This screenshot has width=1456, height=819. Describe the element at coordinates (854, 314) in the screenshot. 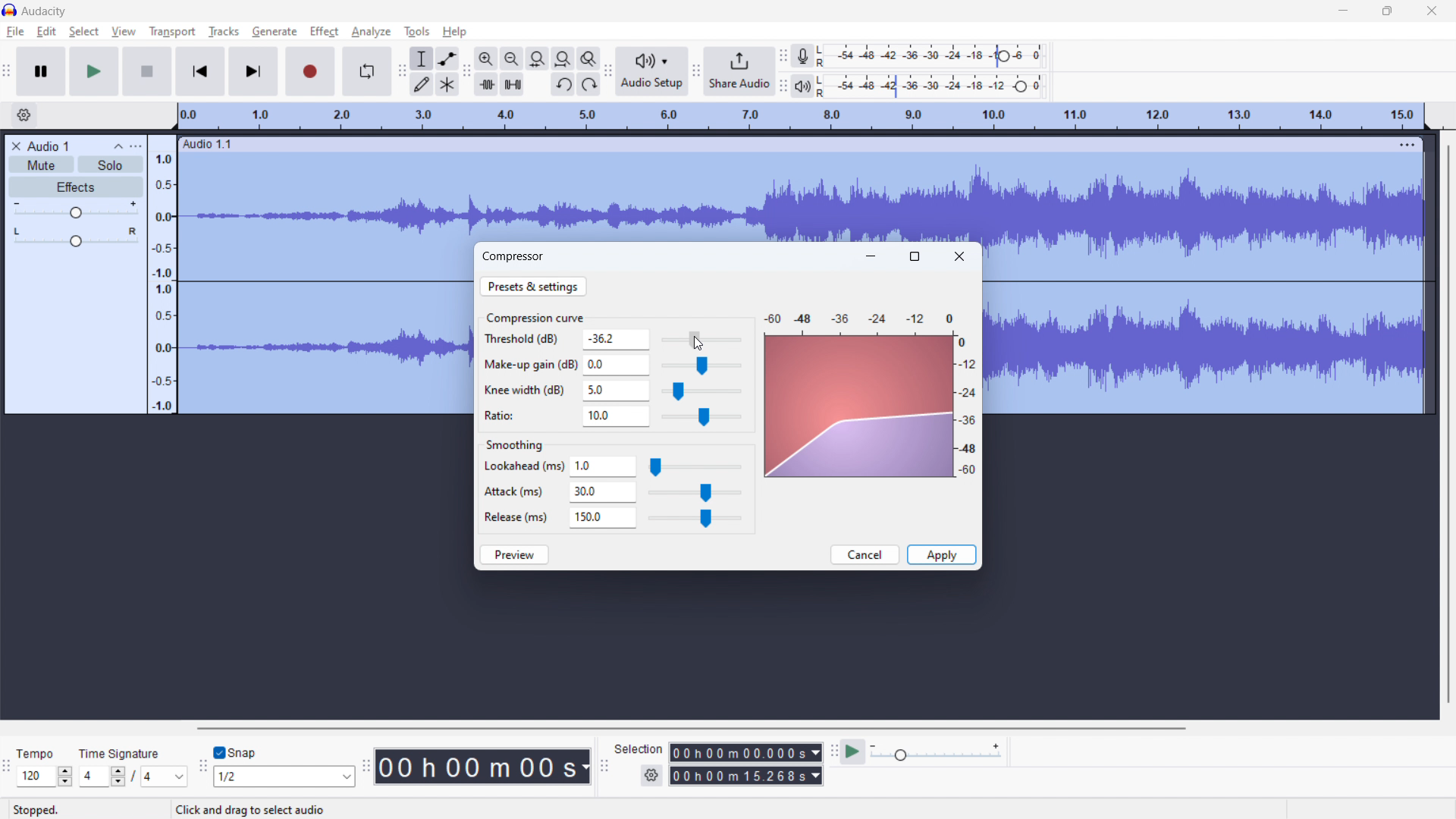

I see `-60 -48 -36 24 -12 0 (Curve x-axis)` at that location.